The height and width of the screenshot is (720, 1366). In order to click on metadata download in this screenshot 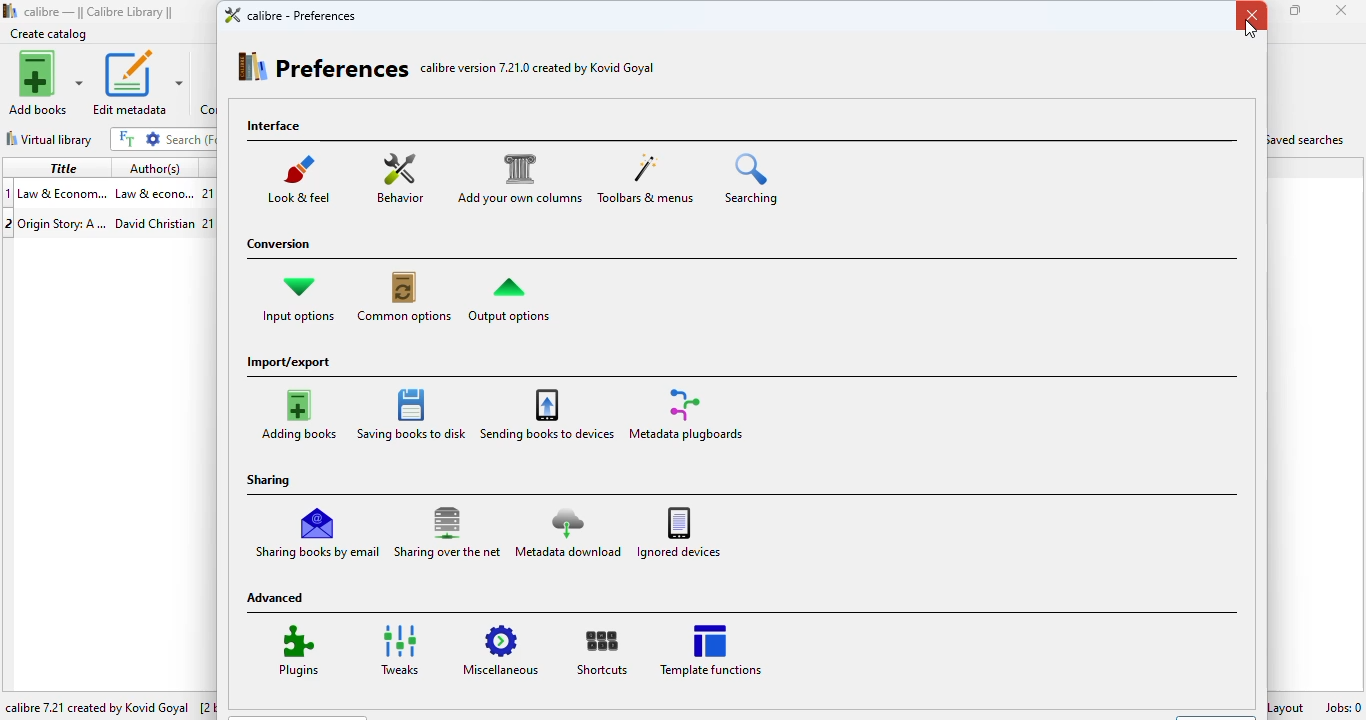, I will do `click(568, 529)`.